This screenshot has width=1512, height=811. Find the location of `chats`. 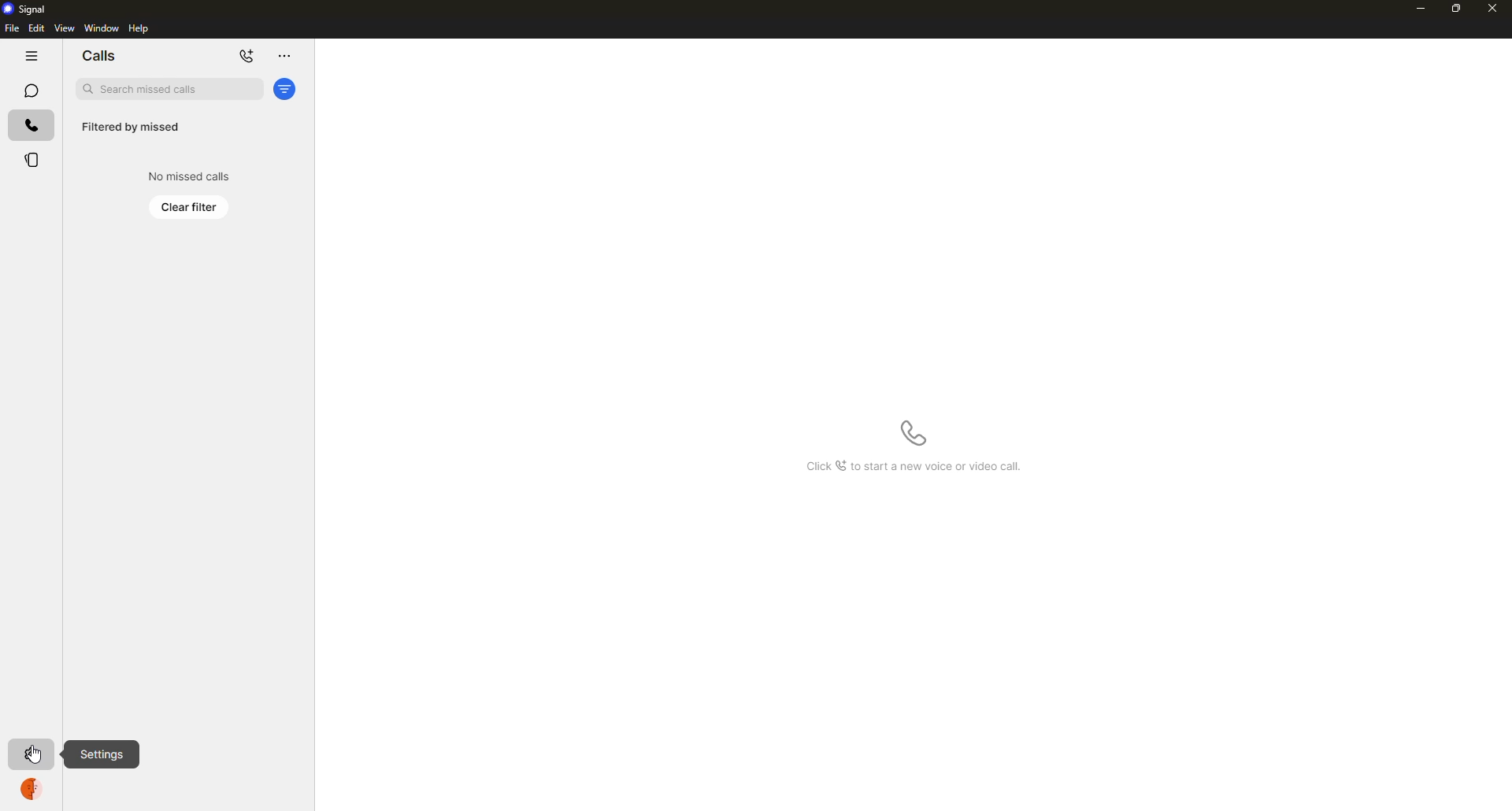

chats is located at coordinates (31, 91).